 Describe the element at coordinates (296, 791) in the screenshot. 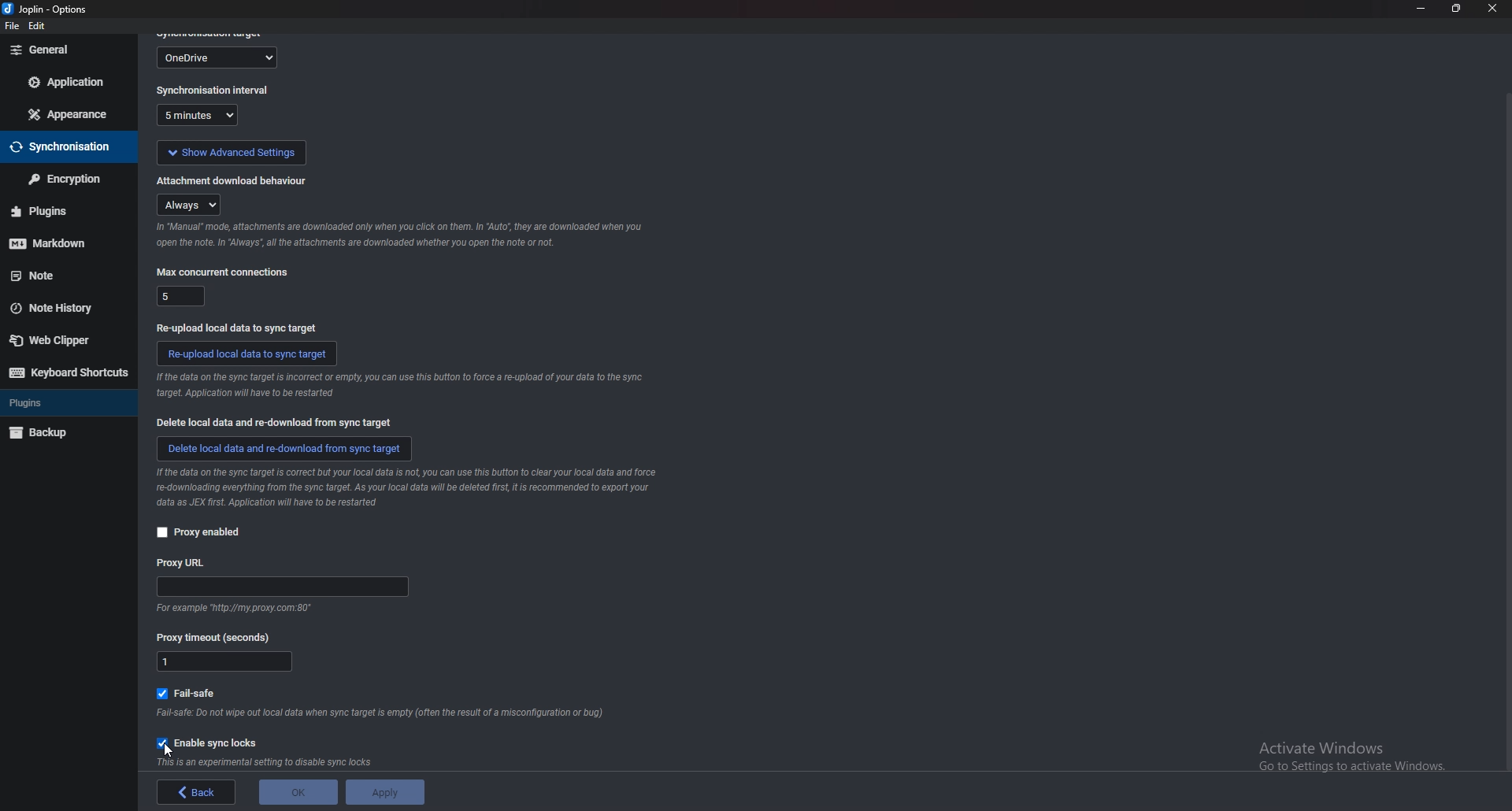

I see `ok` at that location.